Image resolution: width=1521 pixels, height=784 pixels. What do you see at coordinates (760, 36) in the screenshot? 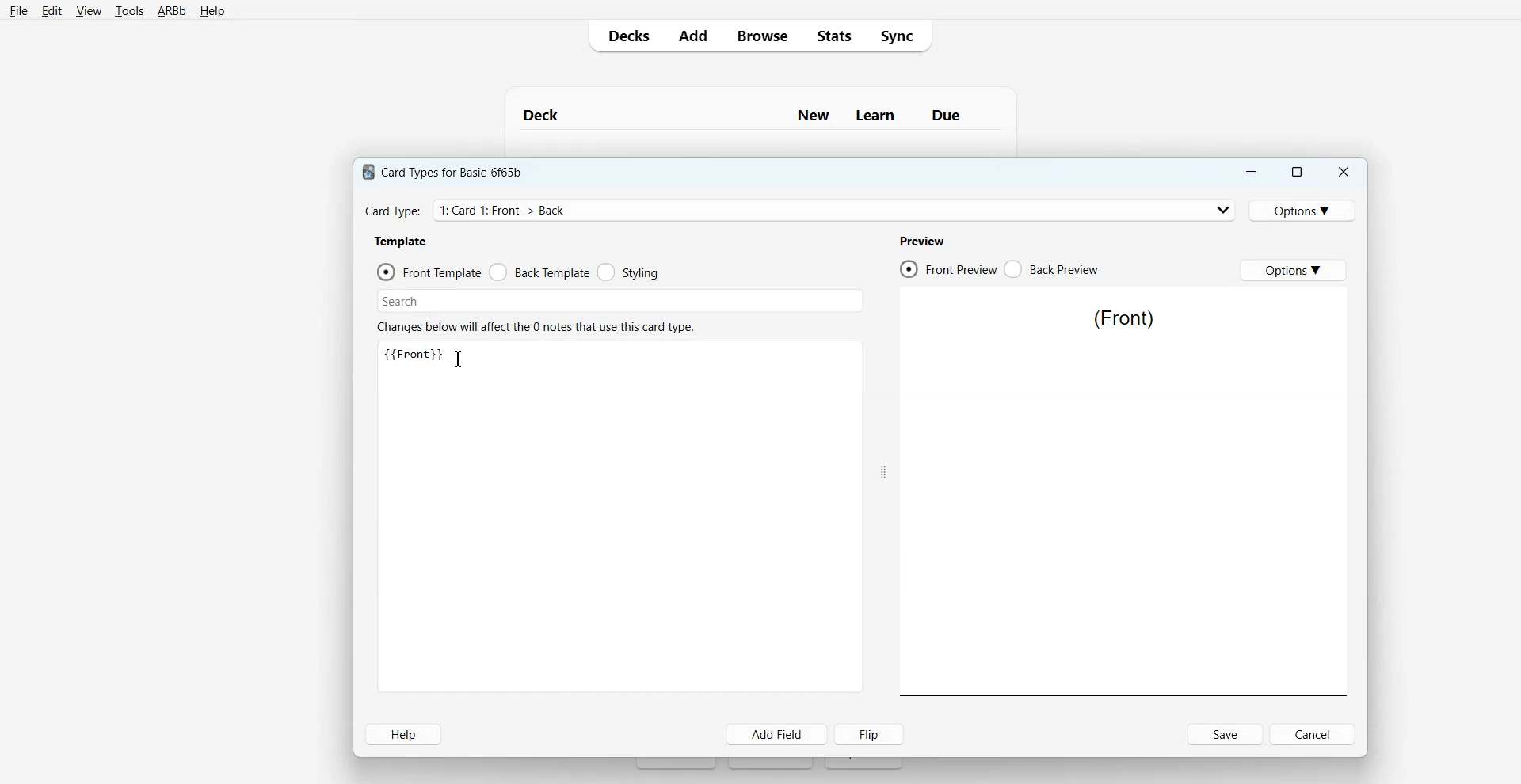
I see `Browse` at bounding box center [760, 36].